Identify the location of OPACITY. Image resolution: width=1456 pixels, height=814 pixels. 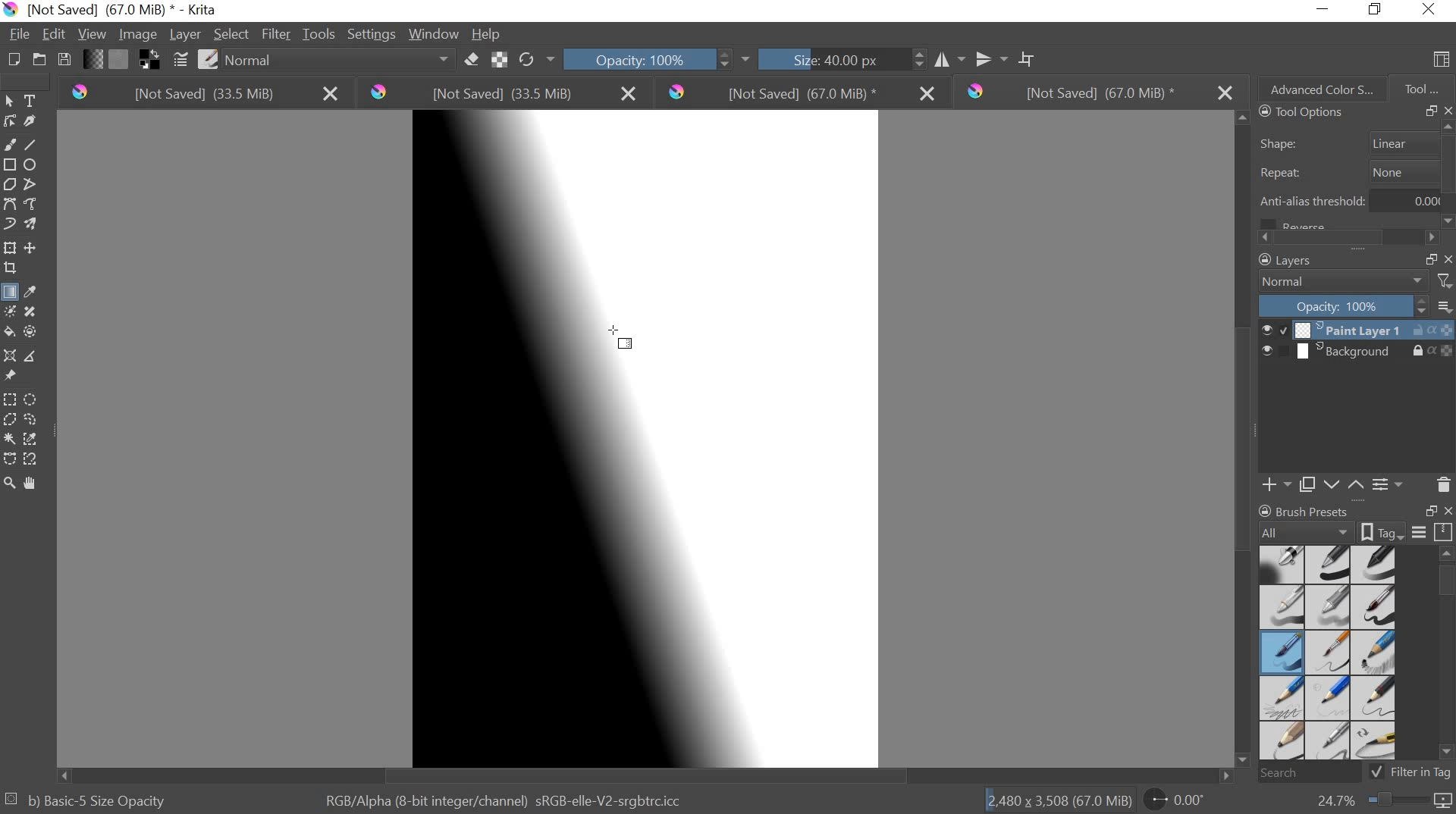
(1345, 305).